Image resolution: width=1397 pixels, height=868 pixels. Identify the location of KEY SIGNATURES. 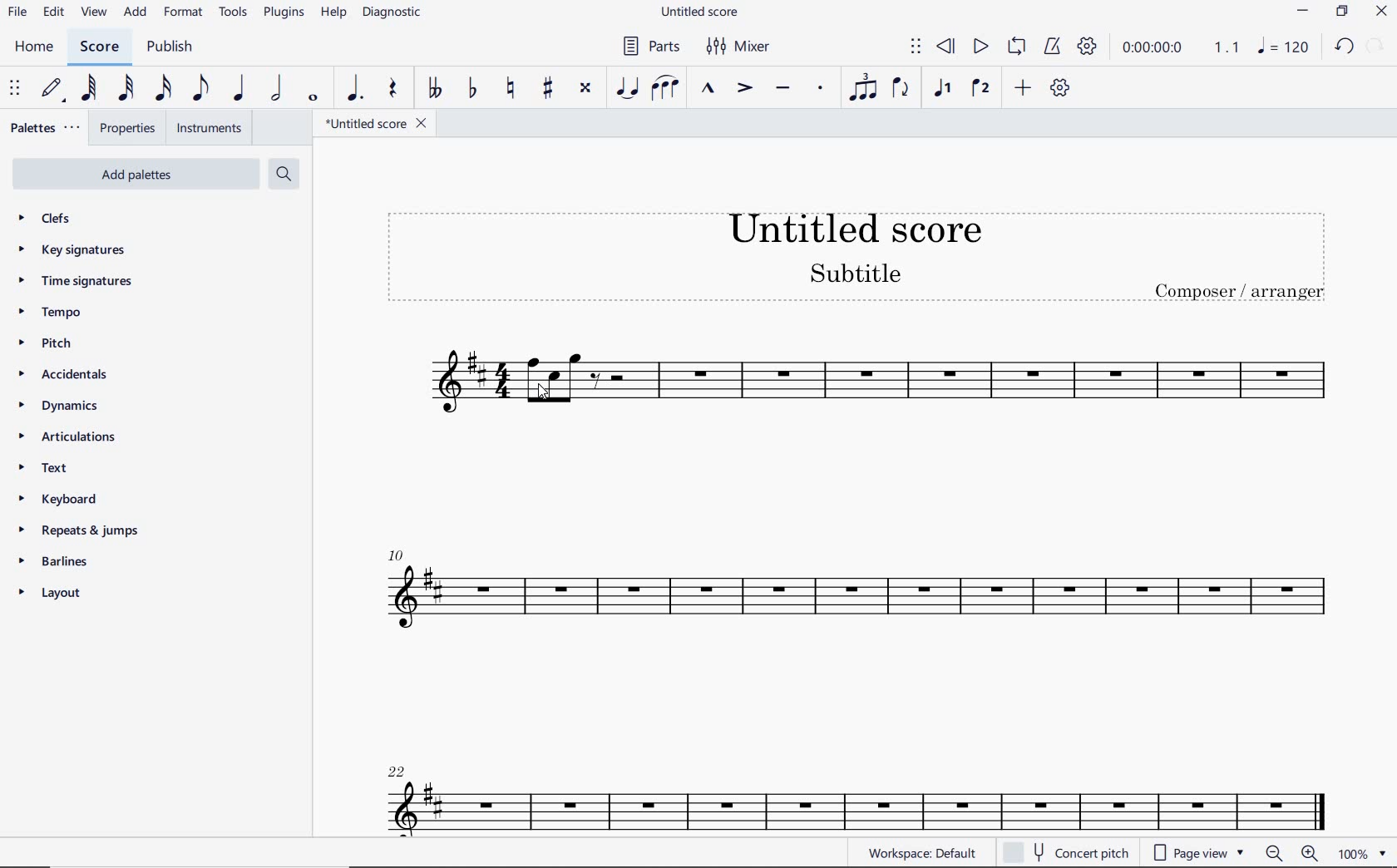
(79, 250).